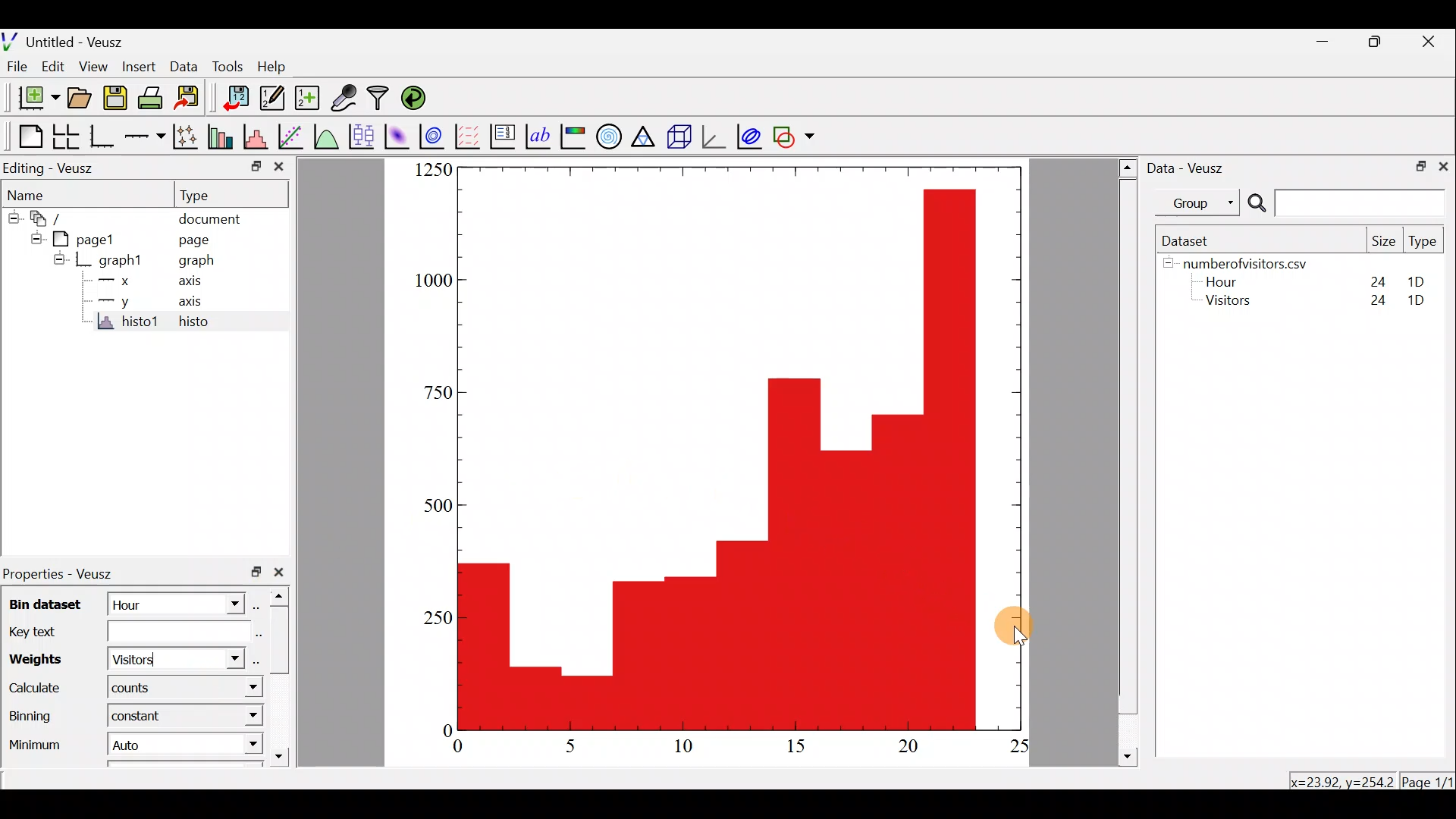 This screenshot has width=1456, height=819. What do you see at coordinates (364, 135) in the screenshot?
I see `plot box plots` at bounding box center [364, 135].